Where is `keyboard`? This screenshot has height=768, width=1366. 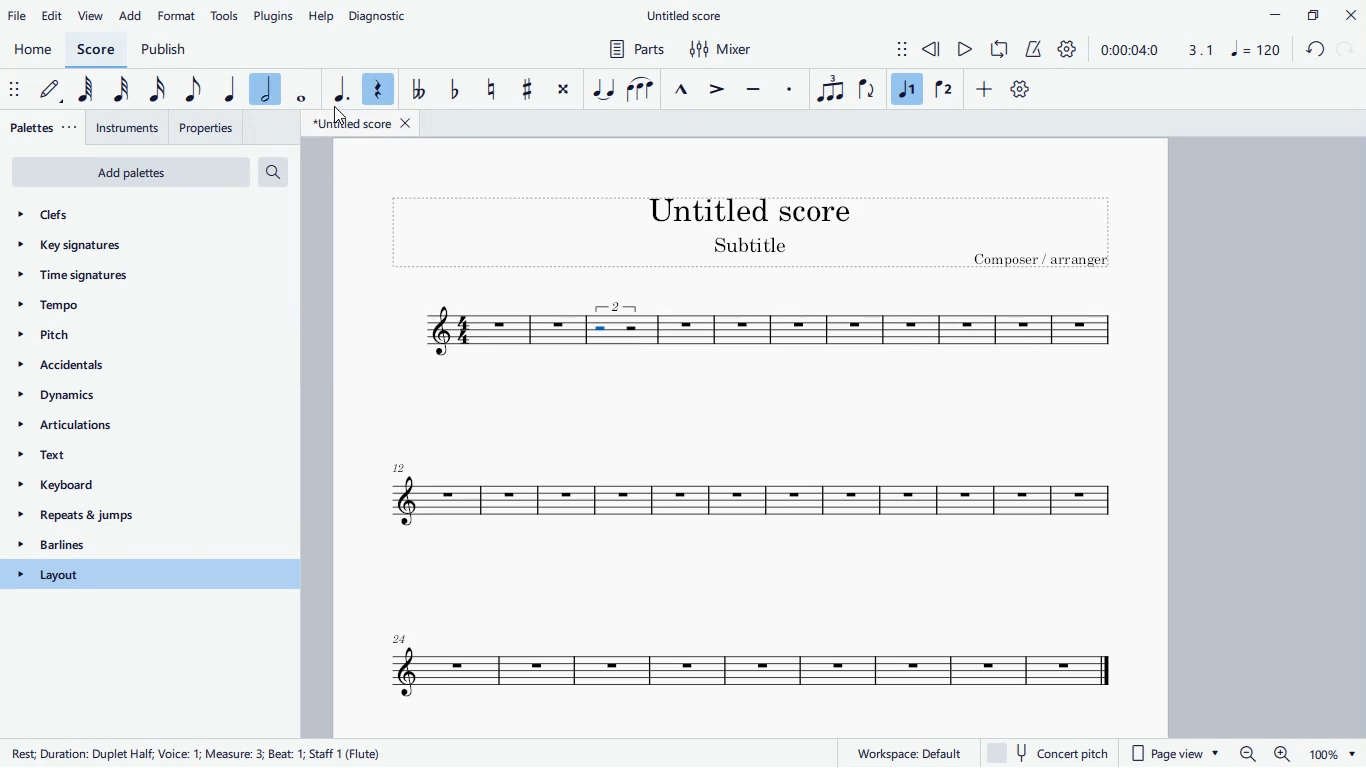 keyboard is located at coordinates (139, 488).